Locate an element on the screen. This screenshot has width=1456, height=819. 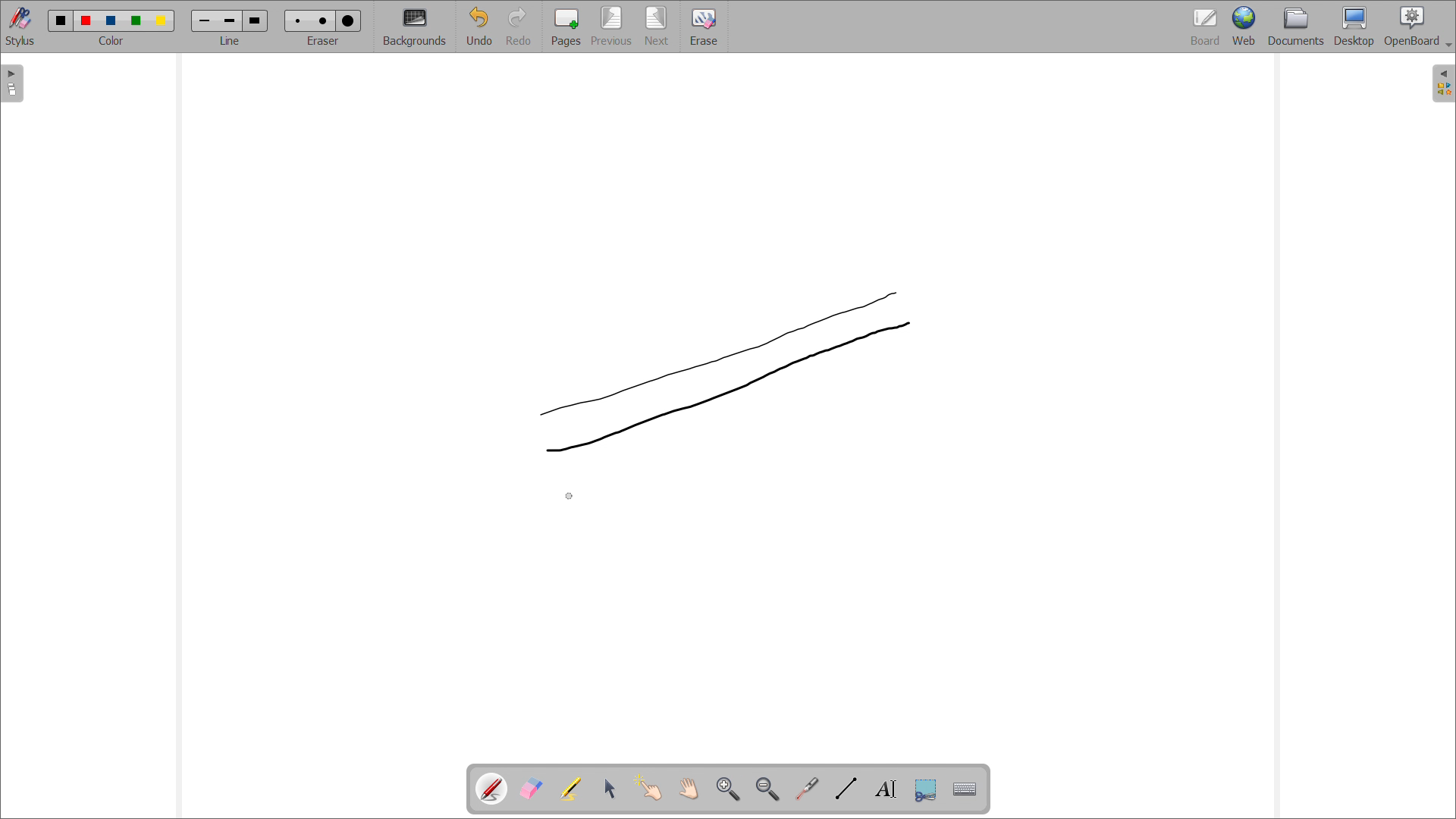
board is located at coordinates (1204, 27).